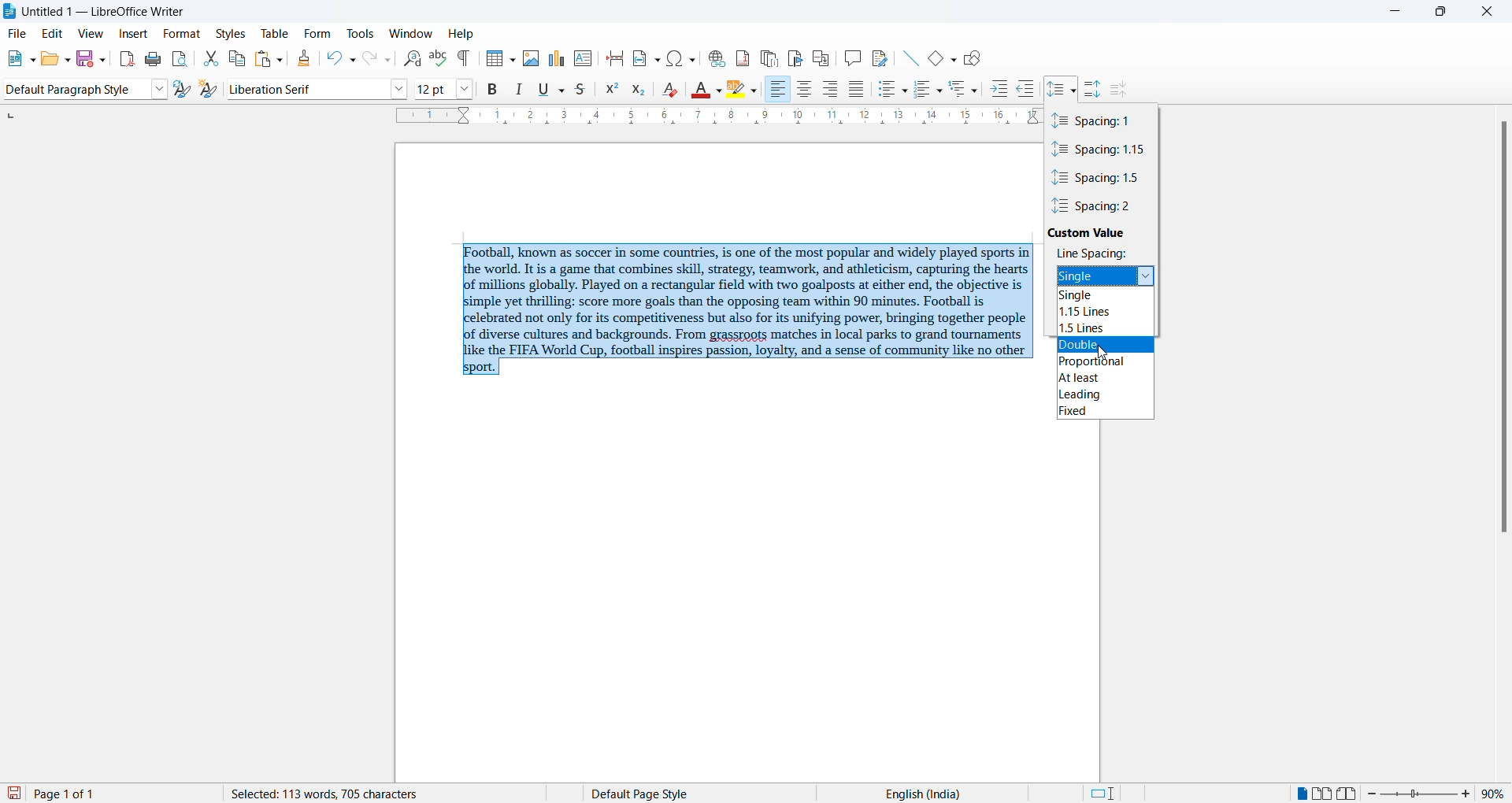  I want to click on italic, so click(519, 87).